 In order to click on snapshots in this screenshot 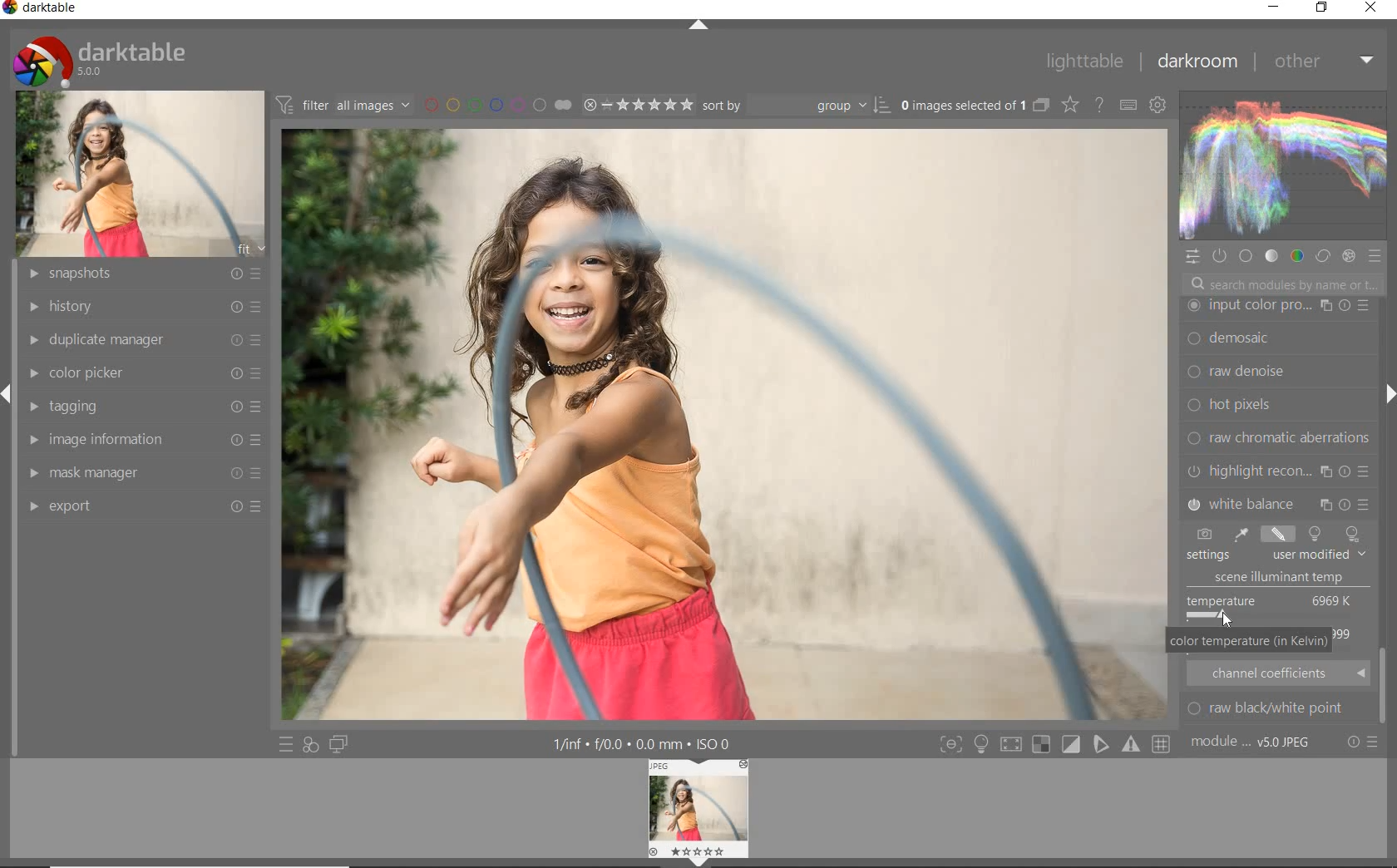, I will do `click(139, 274)`.